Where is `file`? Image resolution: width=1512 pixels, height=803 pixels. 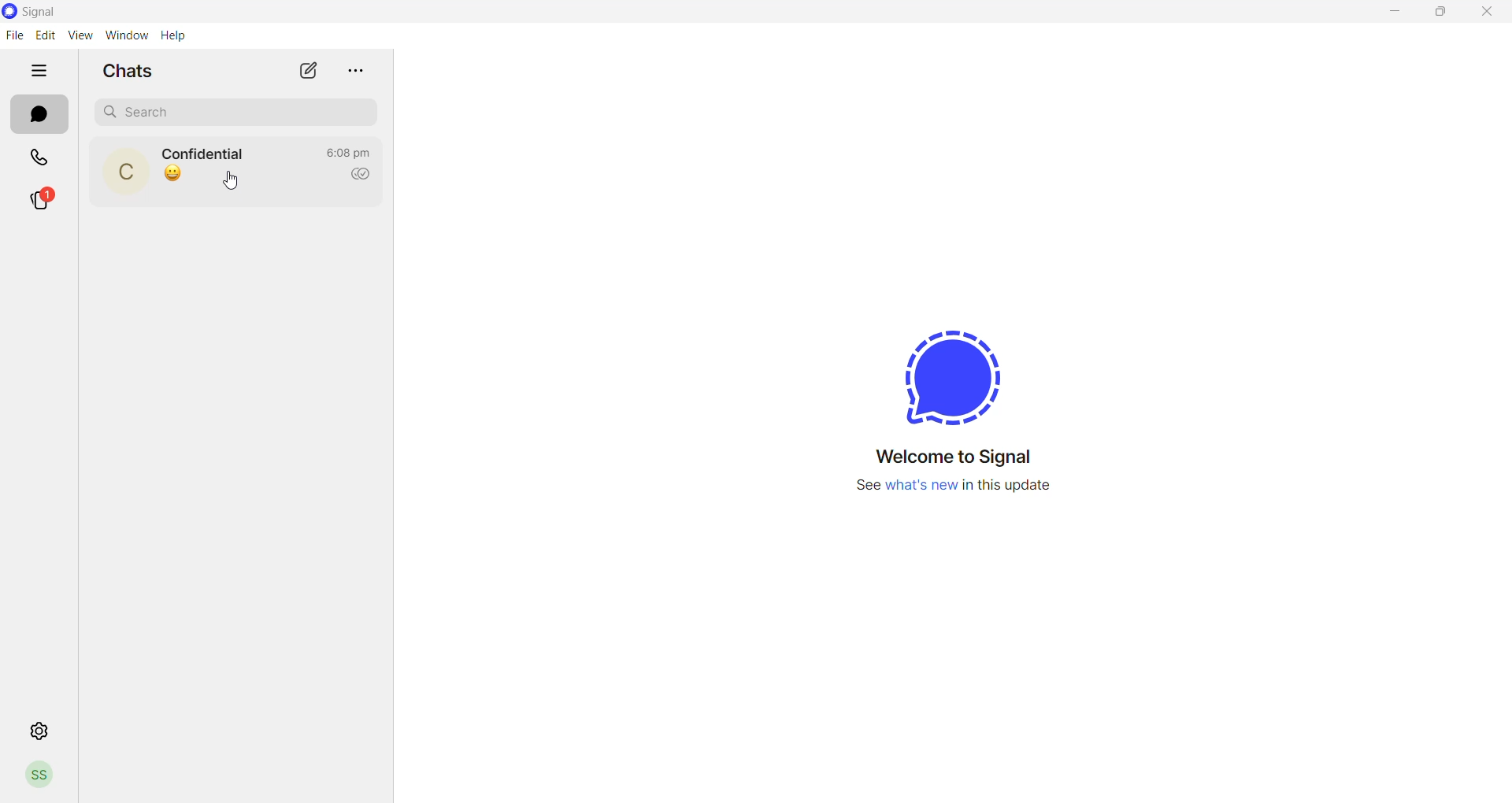
file is located at coordinates (17, 34).